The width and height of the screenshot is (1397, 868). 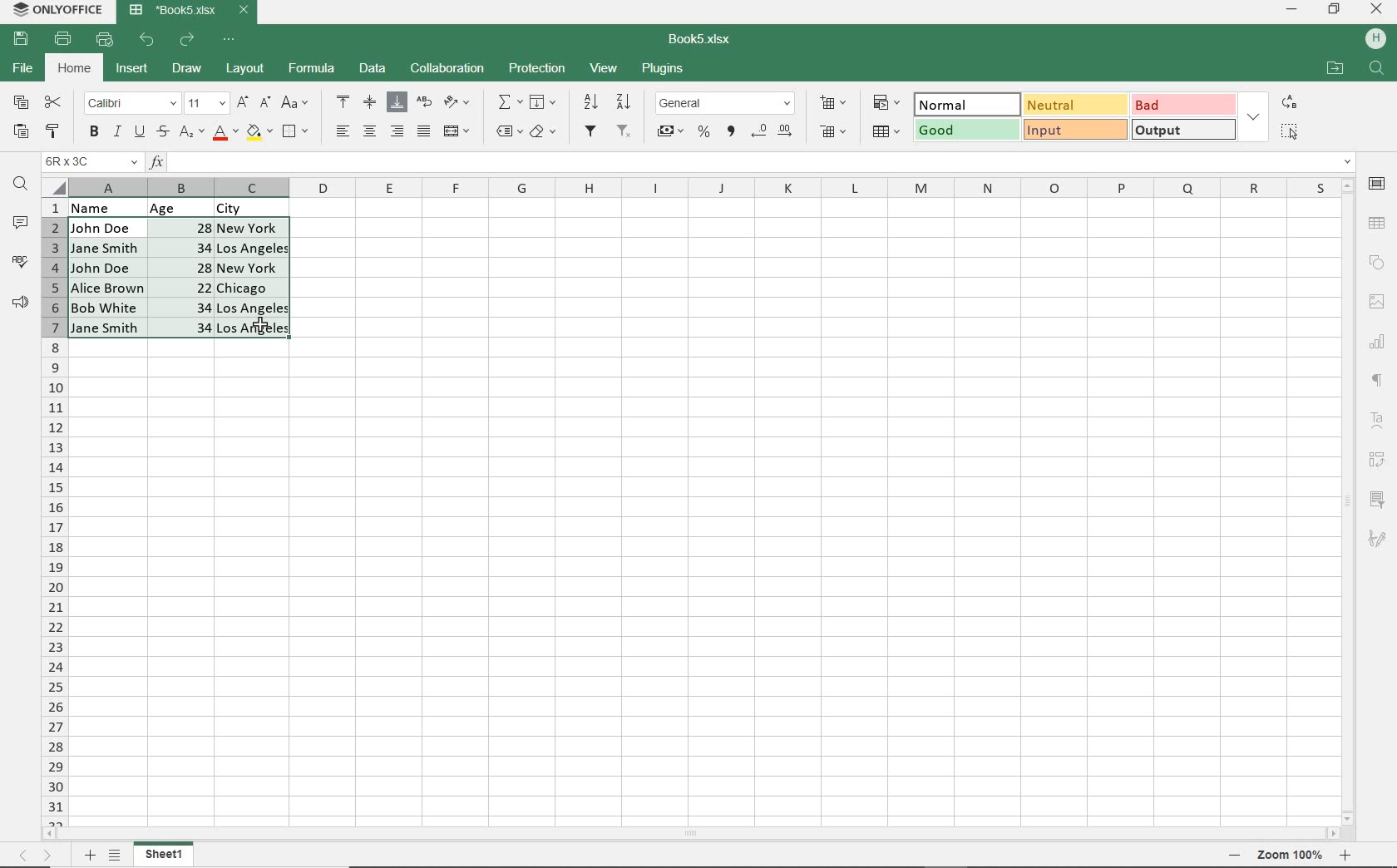 What do you see at coordinates (1335, 70) in the screenshot?
I see `OPEN FILE LOCATION` at bounding box center [1335, 70].